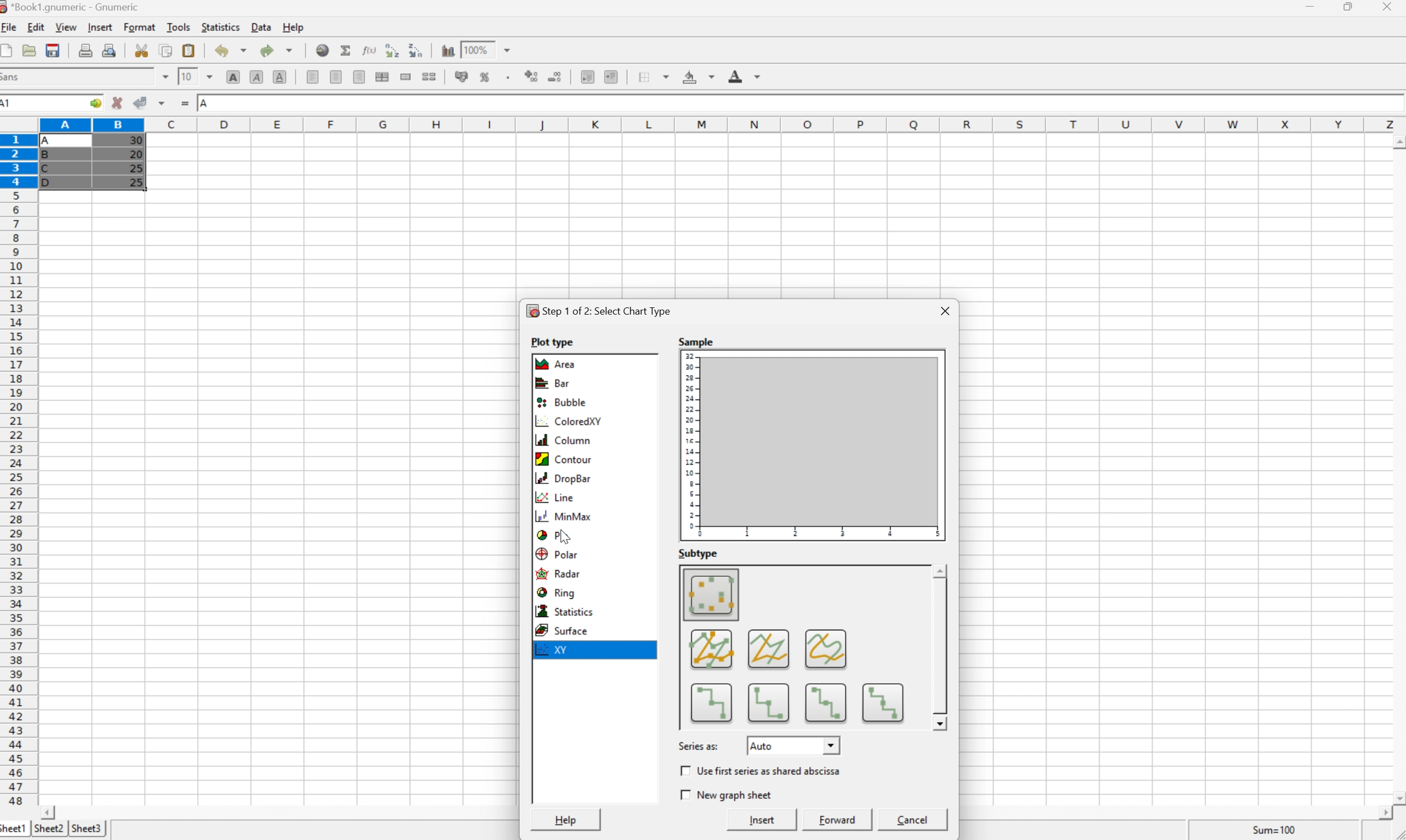  Describe the element at coordinates (567, 820) in the screenshot. I see `Help` at that location.